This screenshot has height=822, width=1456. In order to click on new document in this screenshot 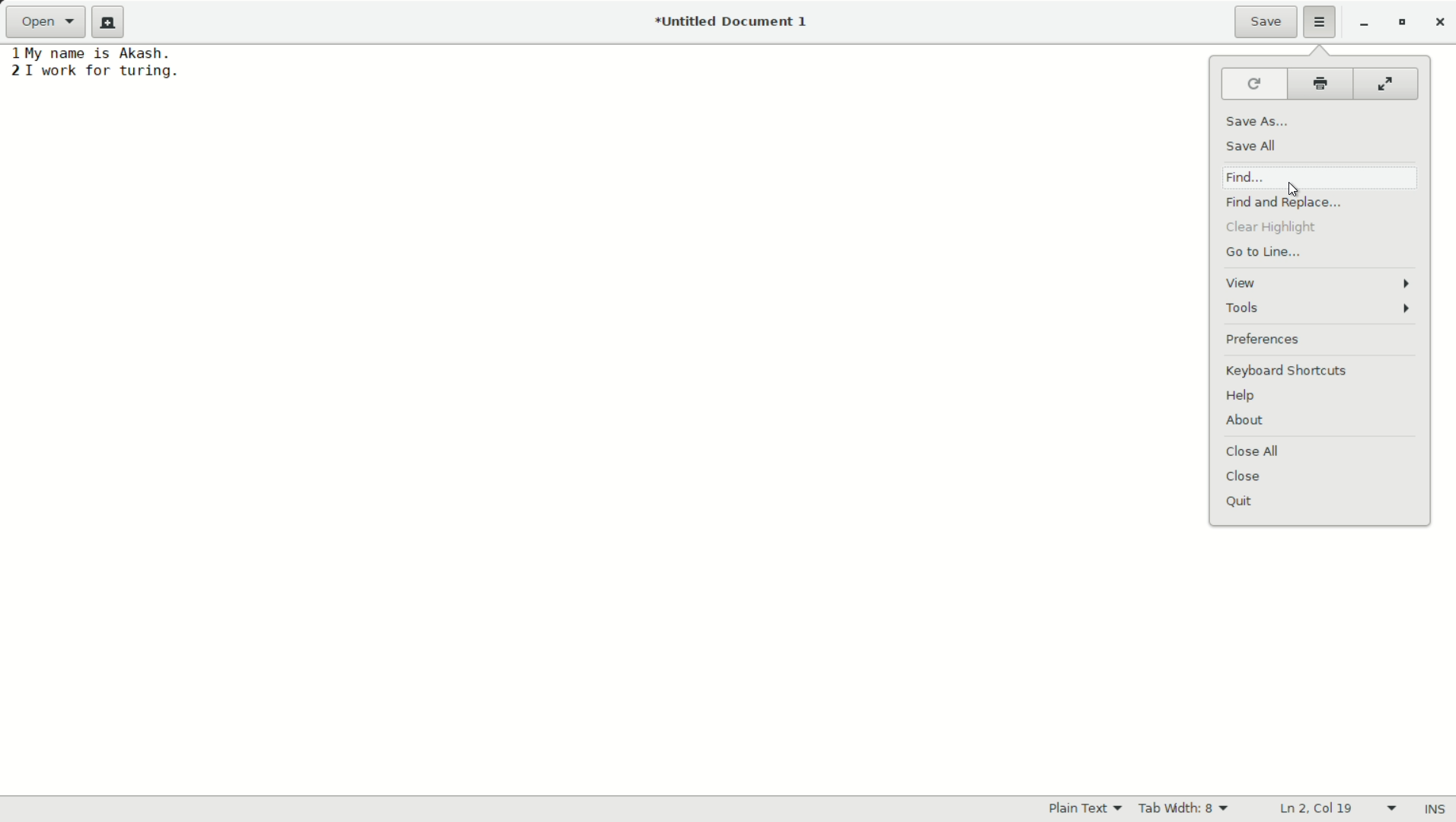, I will do `click(113, 22)`.